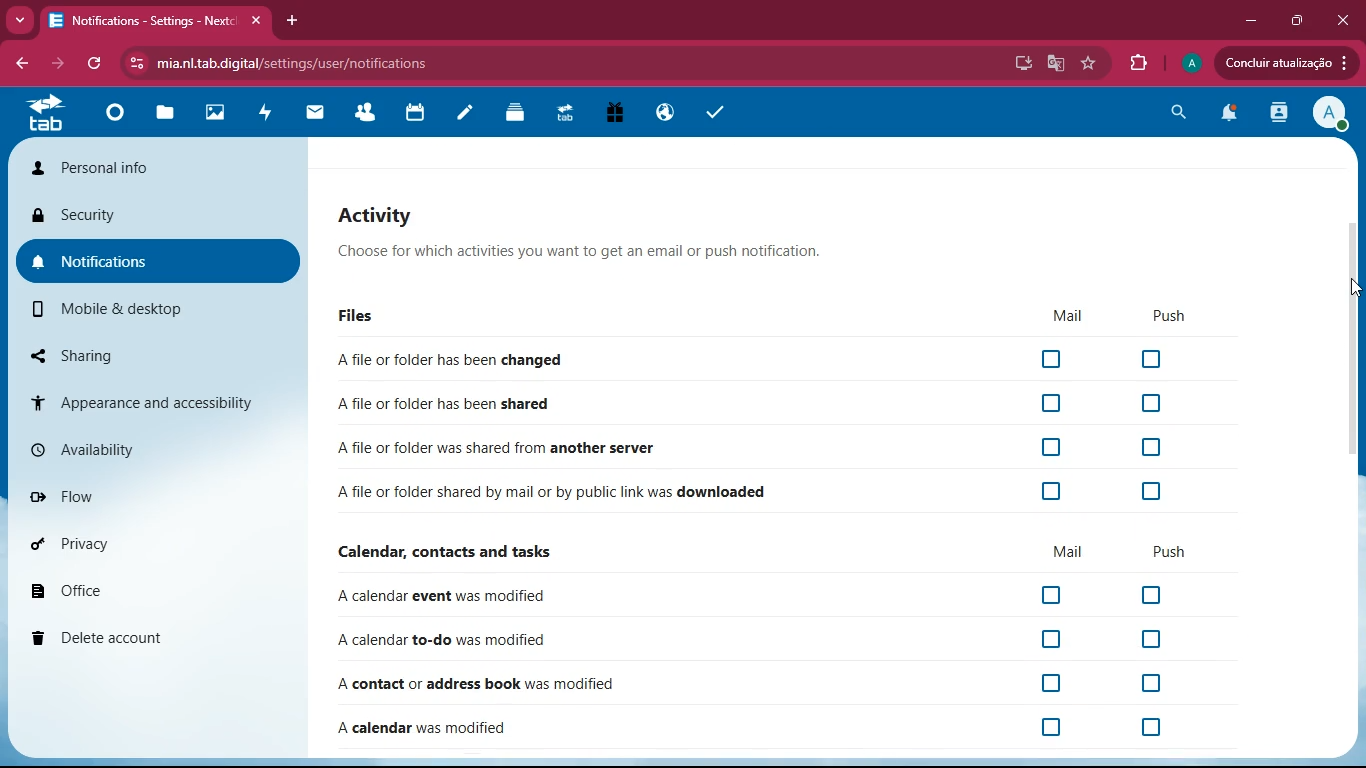  Describe the element at coordinates (165, 586) in the screenshot. I see `office` at that location.